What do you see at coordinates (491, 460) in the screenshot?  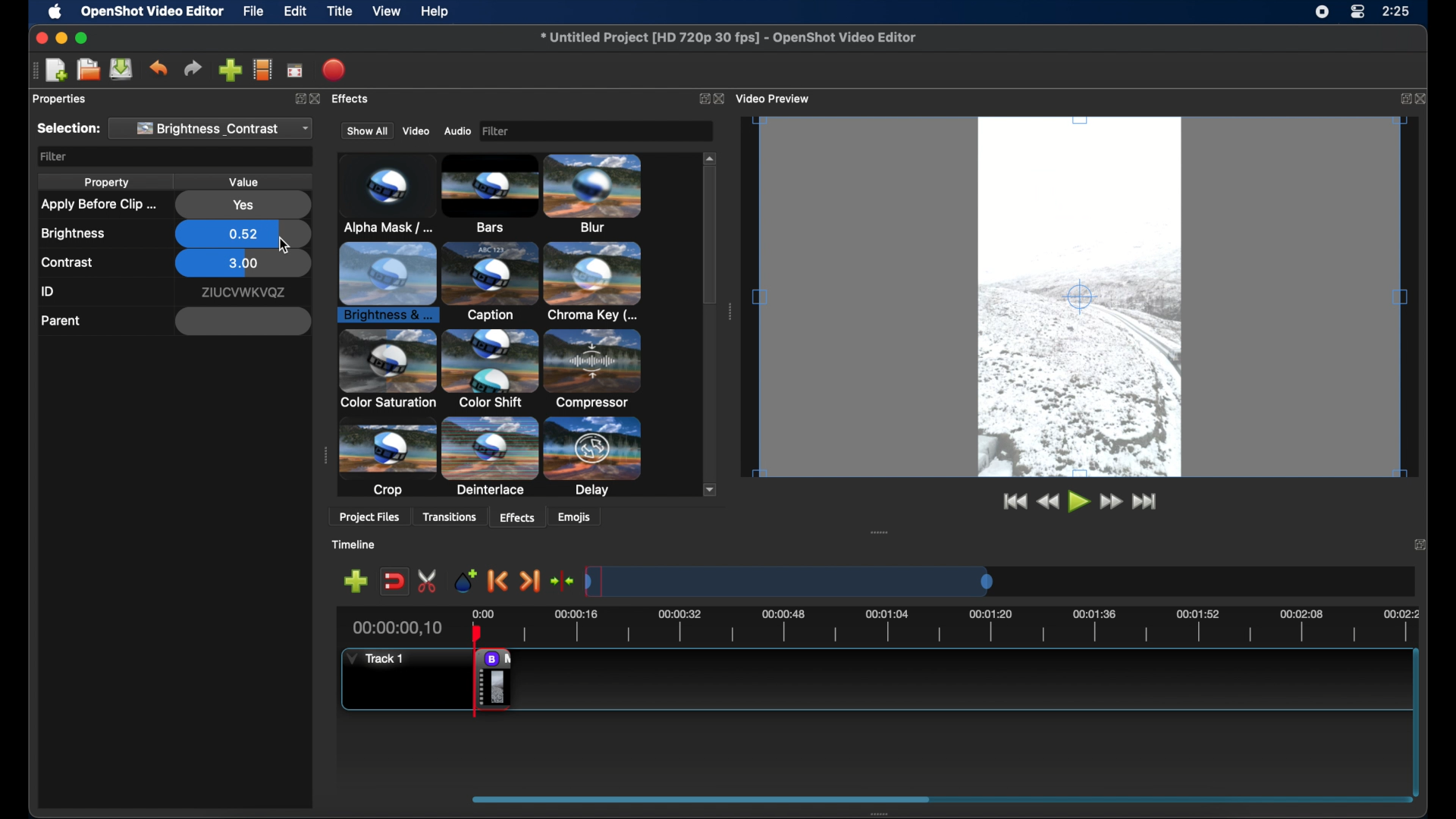 I see `expander` at bounding box center [491, 460].